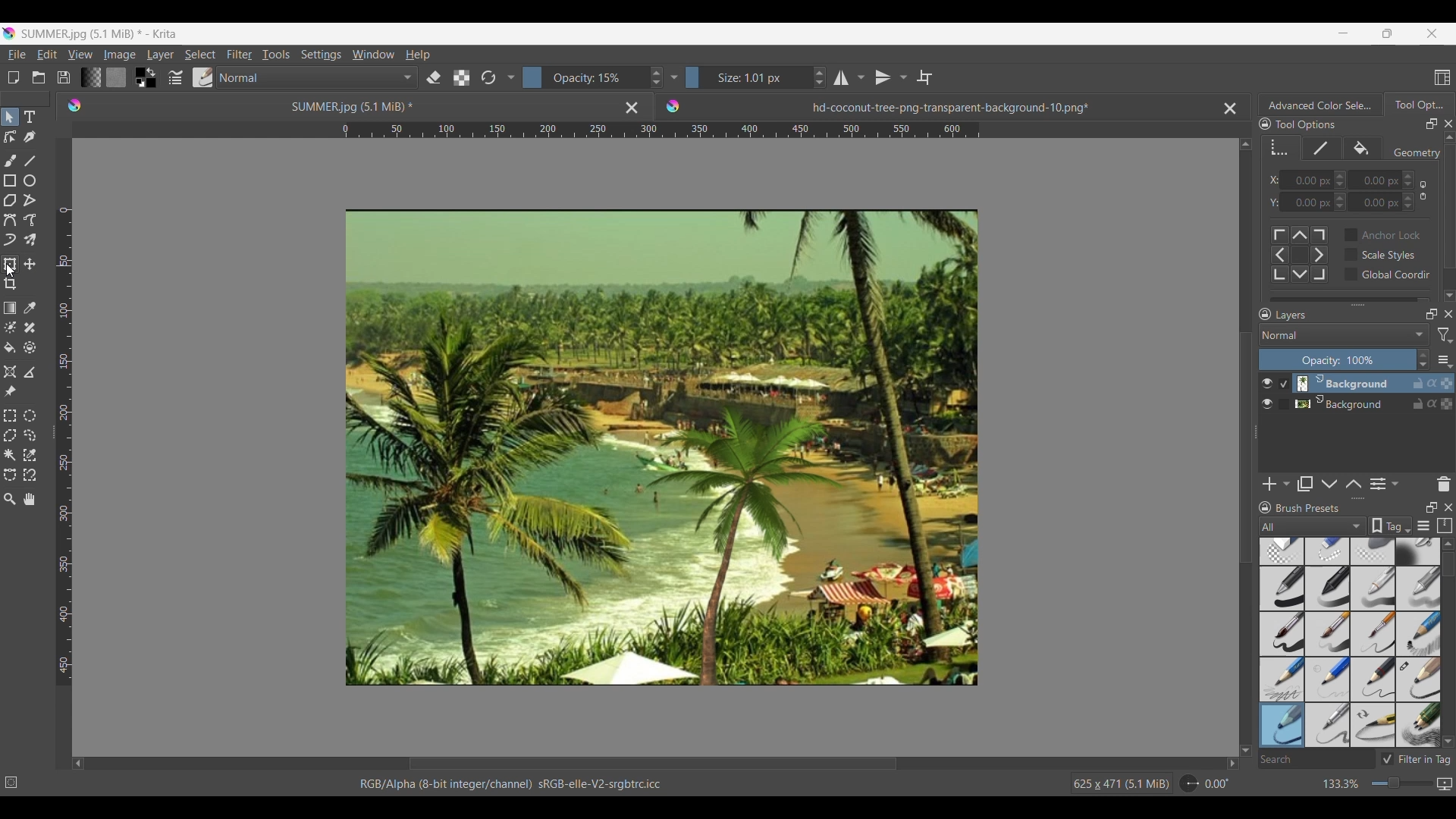 This screenshot has width=1456, height=819. Describe the element at coordinates (664, 449) in the screenshot. I see `Image` at that location.